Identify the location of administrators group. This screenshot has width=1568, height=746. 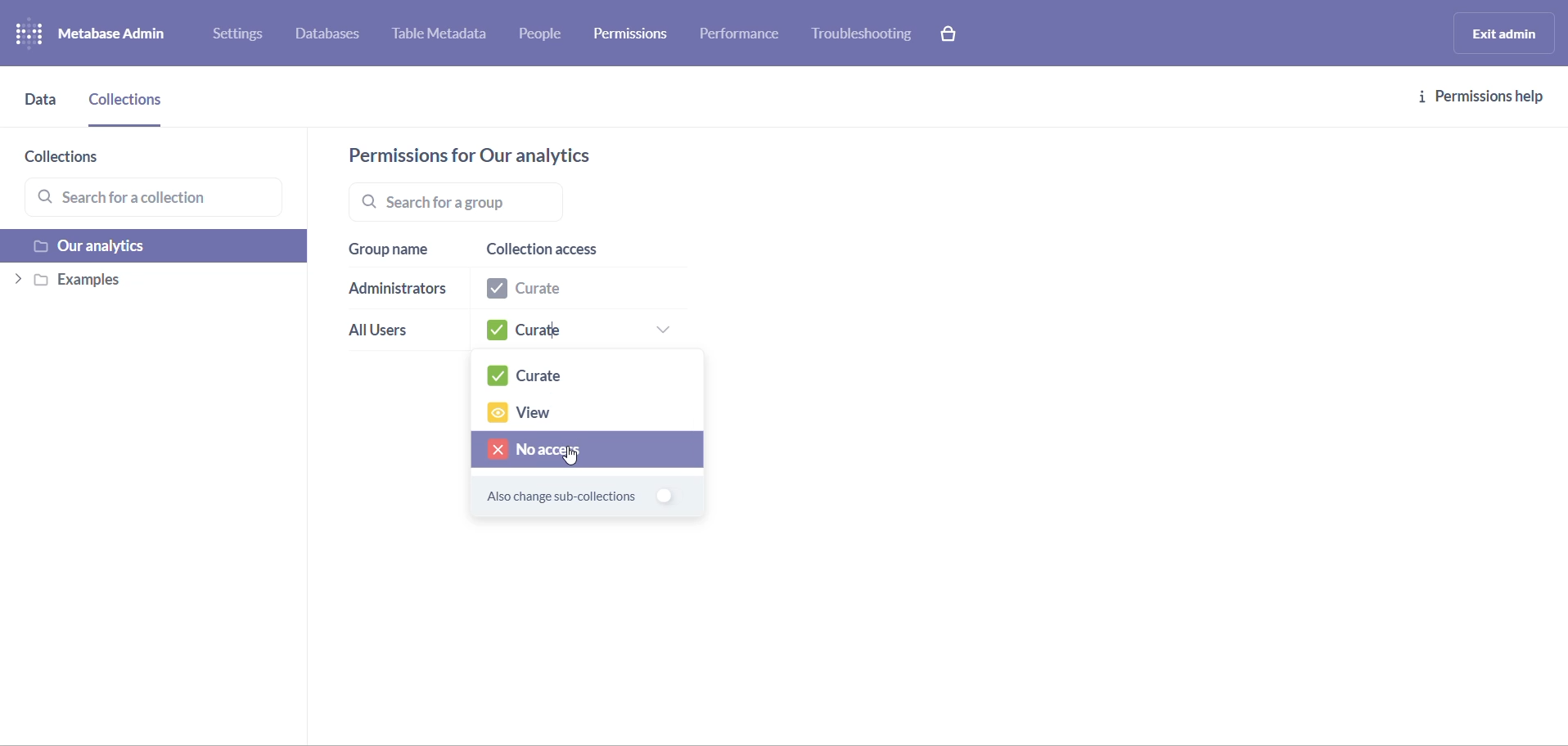
(399, 291).